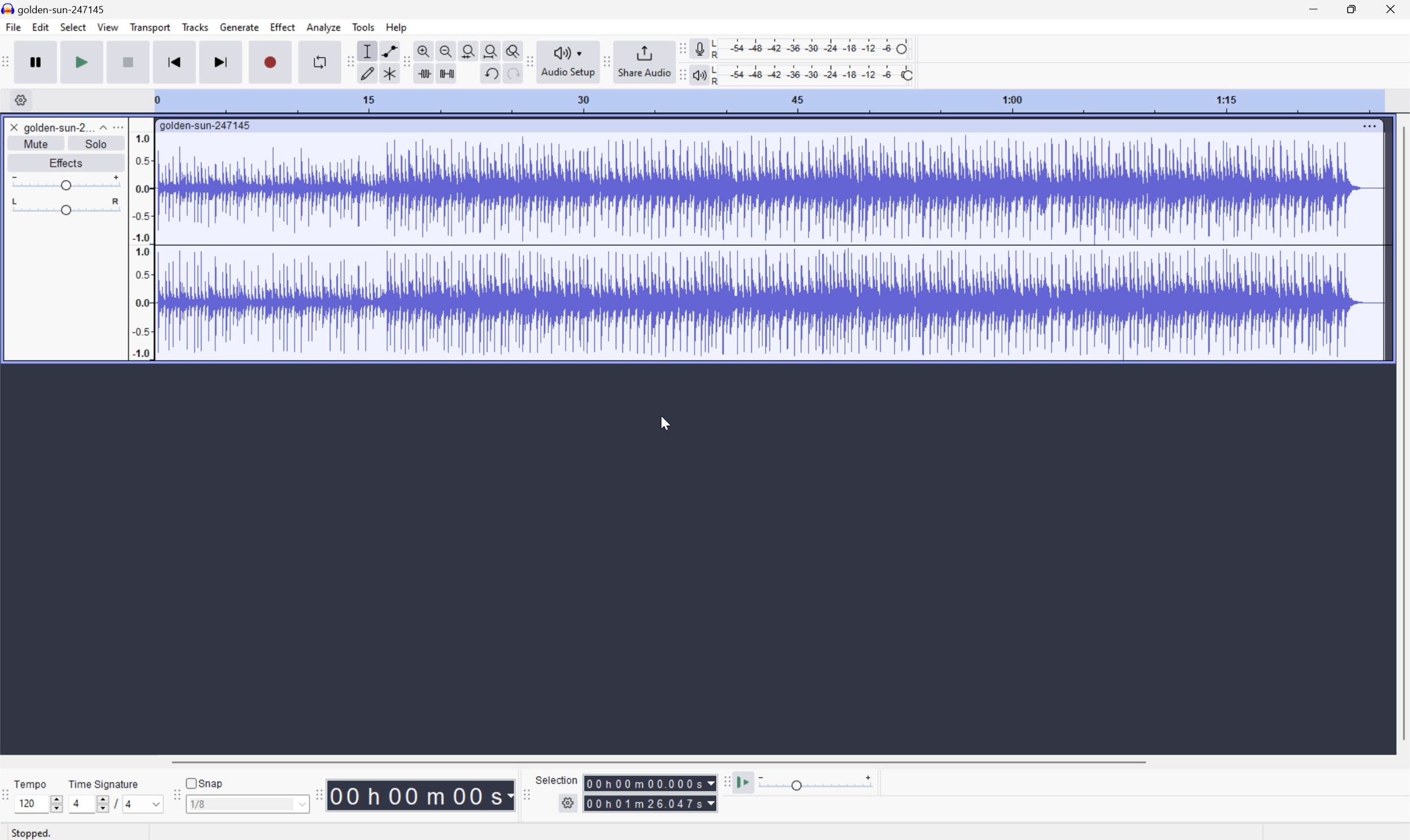 This screenshot has width=1410, height=840. Describe the element at coordinates (141, 246) in the screenshot. I see `Frequencies` at that location.